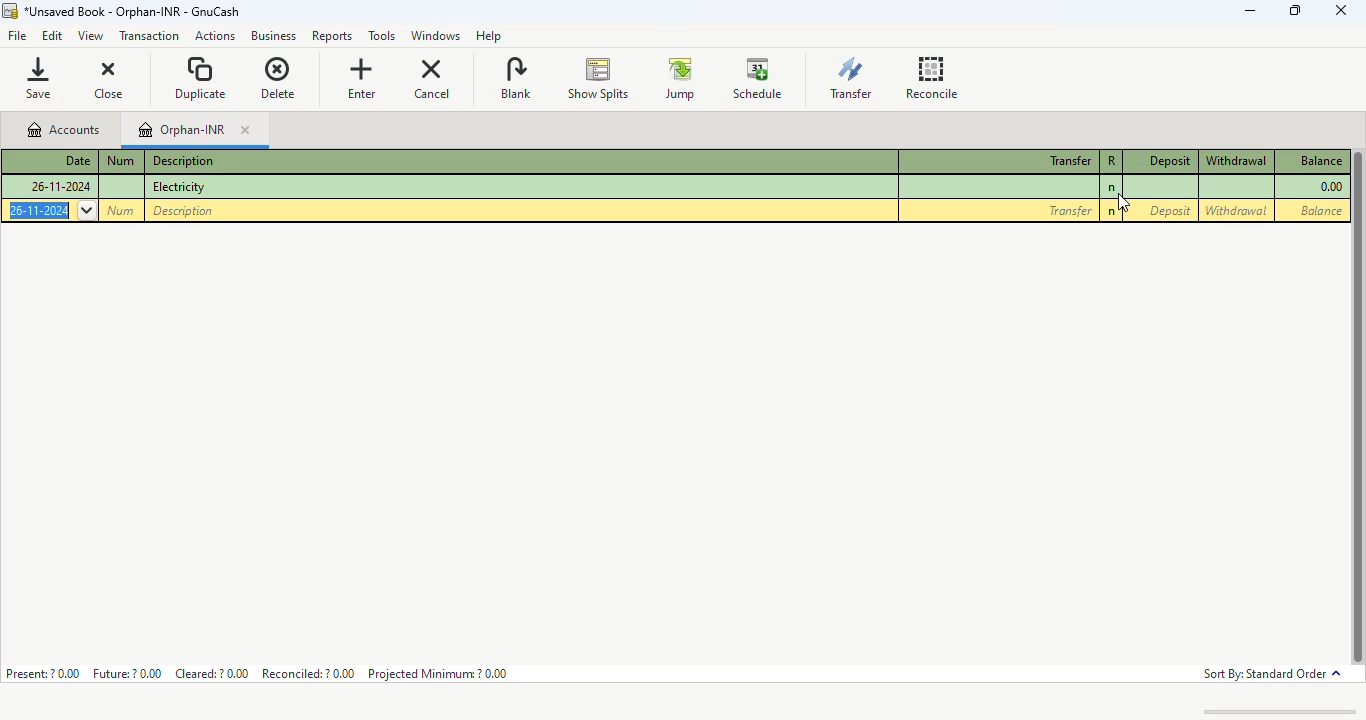  What do you see at coordinates (1329, 187) in the screenshot?
I see `0.00` at bounding box center [1329, 187].